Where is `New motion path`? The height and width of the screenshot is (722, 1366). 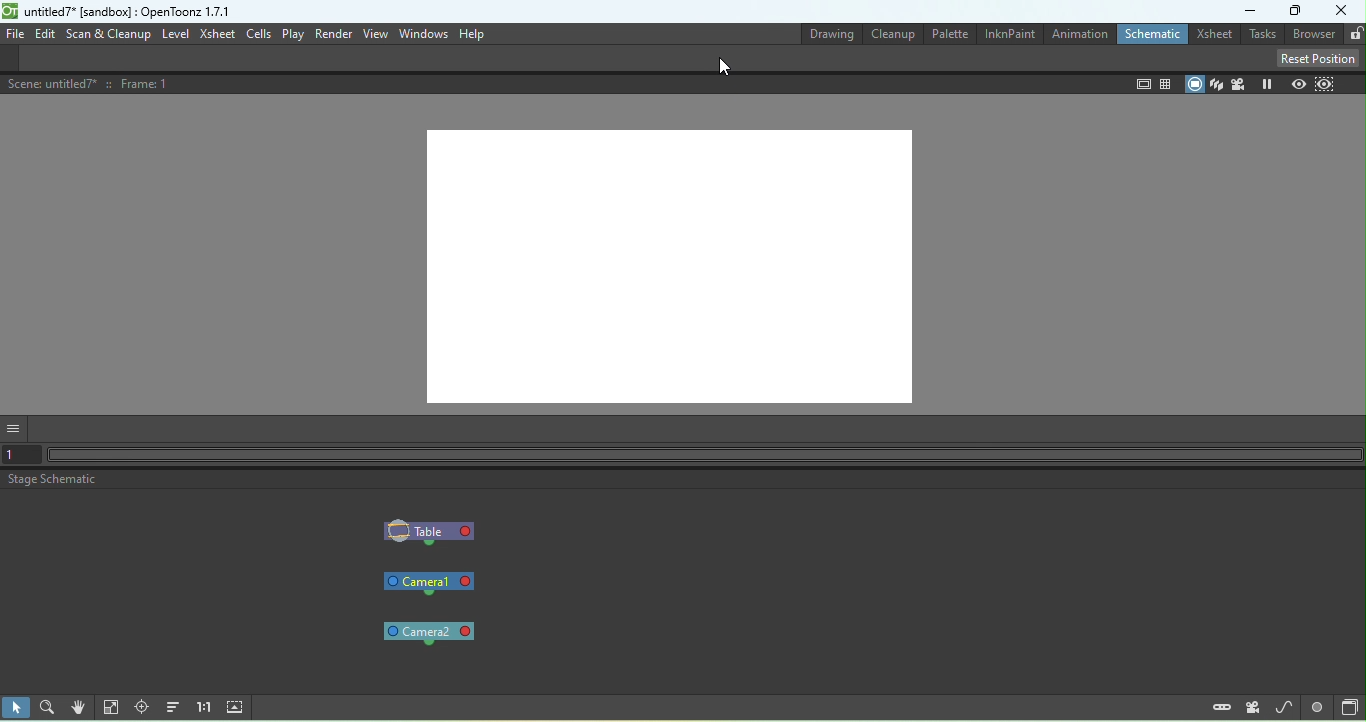
New motion path is located at coordinates (1284, 707).